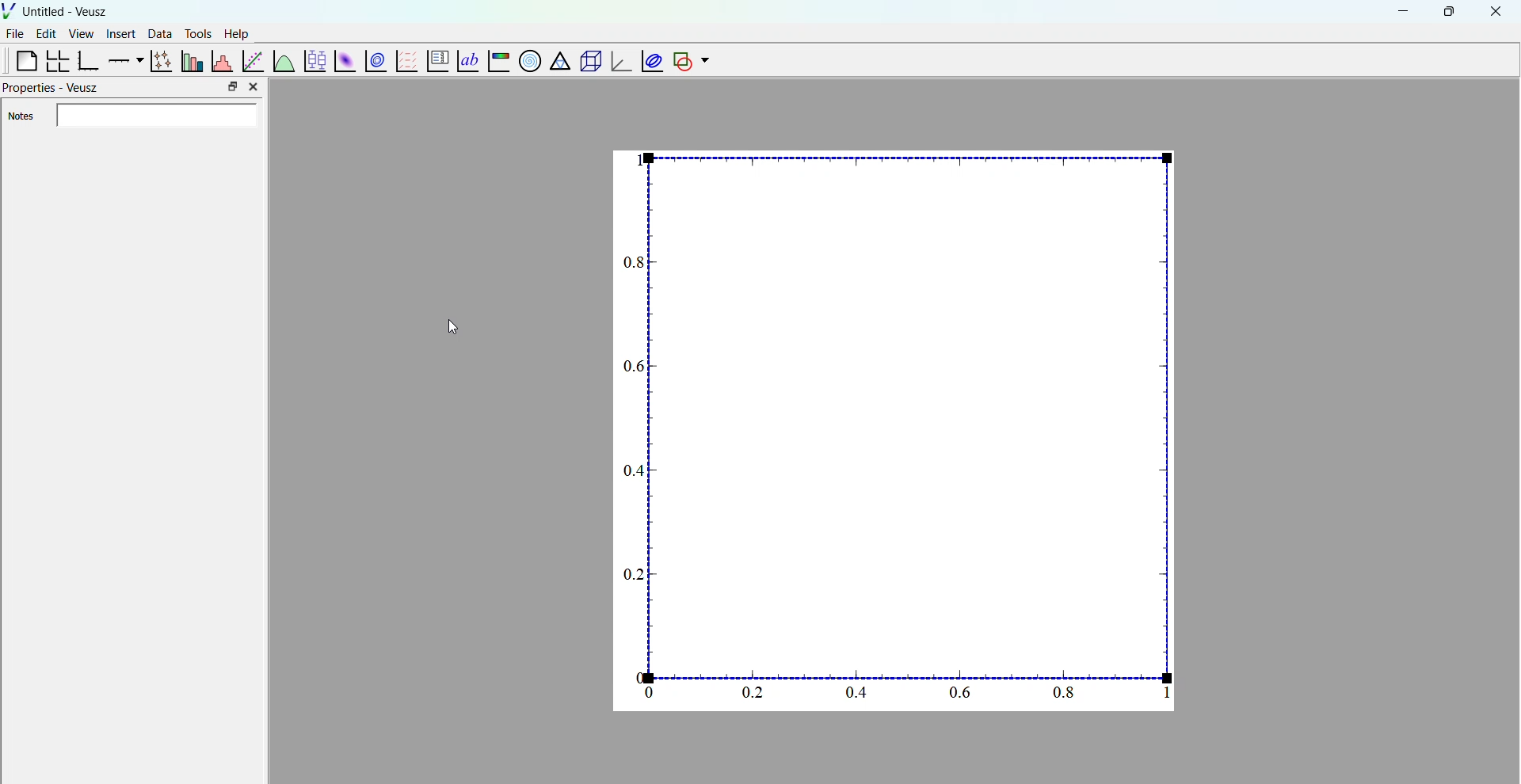  I want to click on plot 2d dataset as an image, so click(342, 61).